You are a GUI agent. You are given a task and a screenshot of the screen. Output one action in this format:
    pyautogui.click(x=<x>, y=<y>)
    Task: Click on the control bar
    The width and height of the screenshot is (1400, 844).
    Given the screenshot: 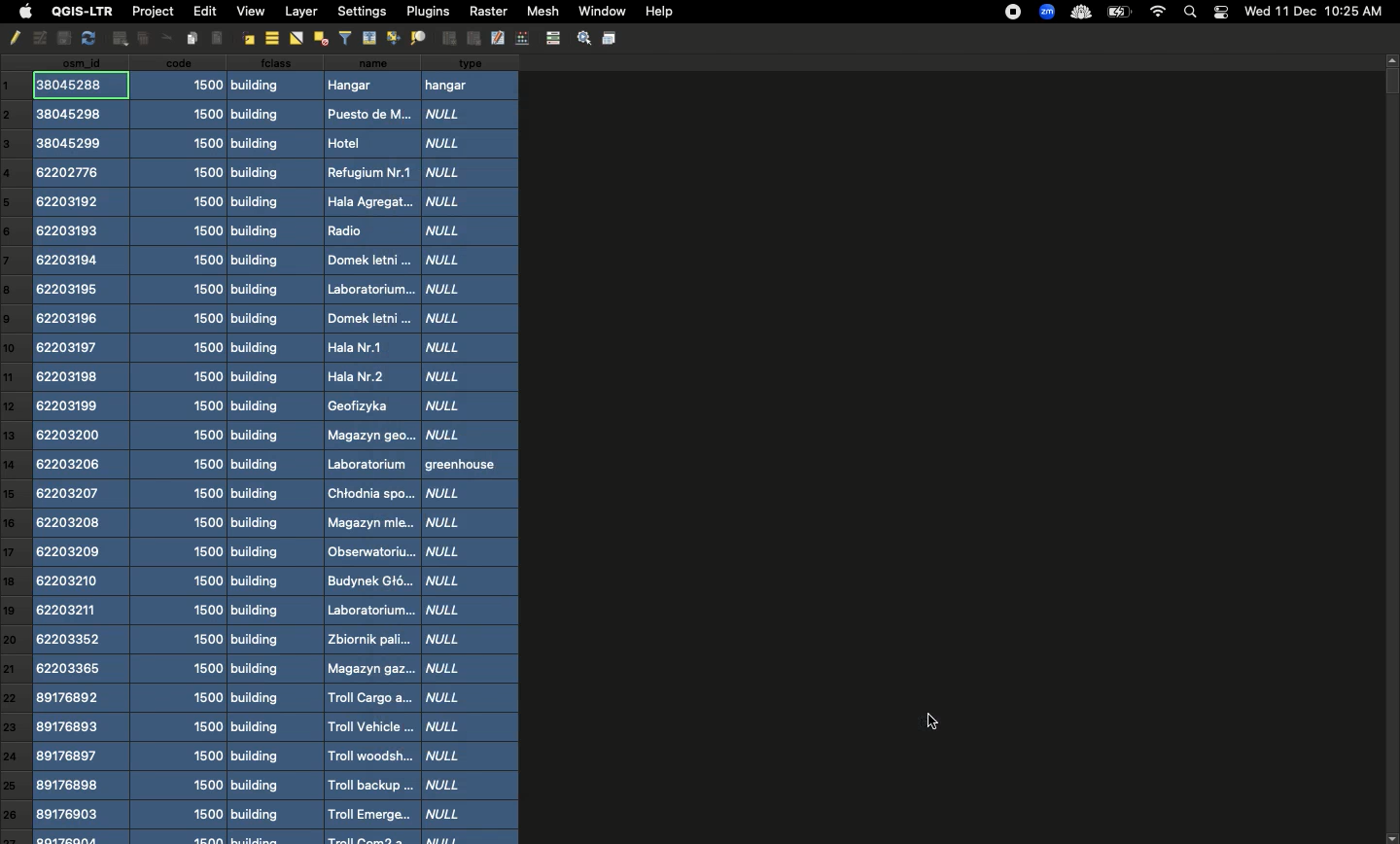 What is the action you would take?
    pyautogui.click(x=551, y=37)
    